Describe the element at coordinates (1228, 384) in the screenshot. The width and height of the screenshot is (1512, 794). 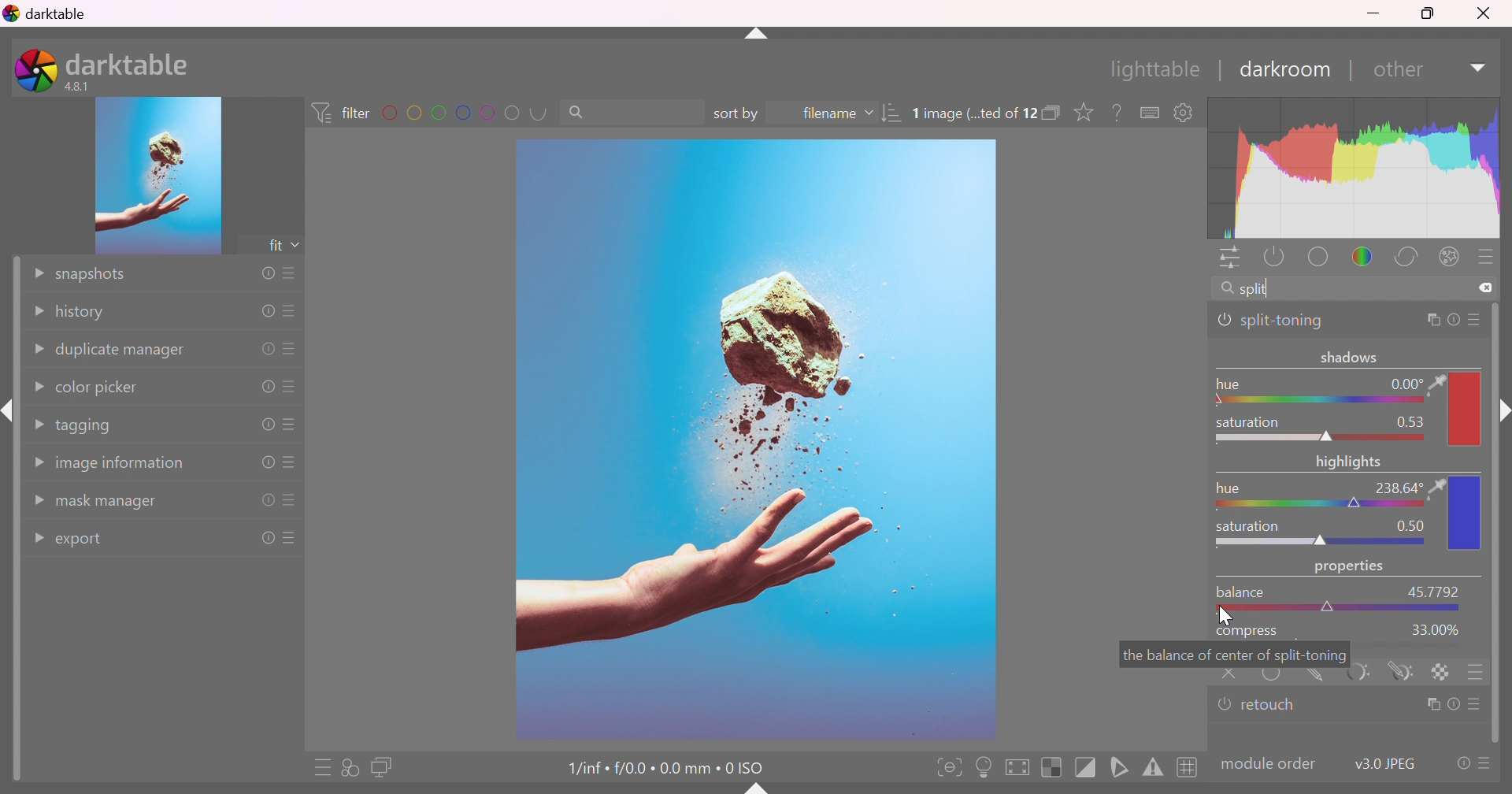
I see `hue` at that location.